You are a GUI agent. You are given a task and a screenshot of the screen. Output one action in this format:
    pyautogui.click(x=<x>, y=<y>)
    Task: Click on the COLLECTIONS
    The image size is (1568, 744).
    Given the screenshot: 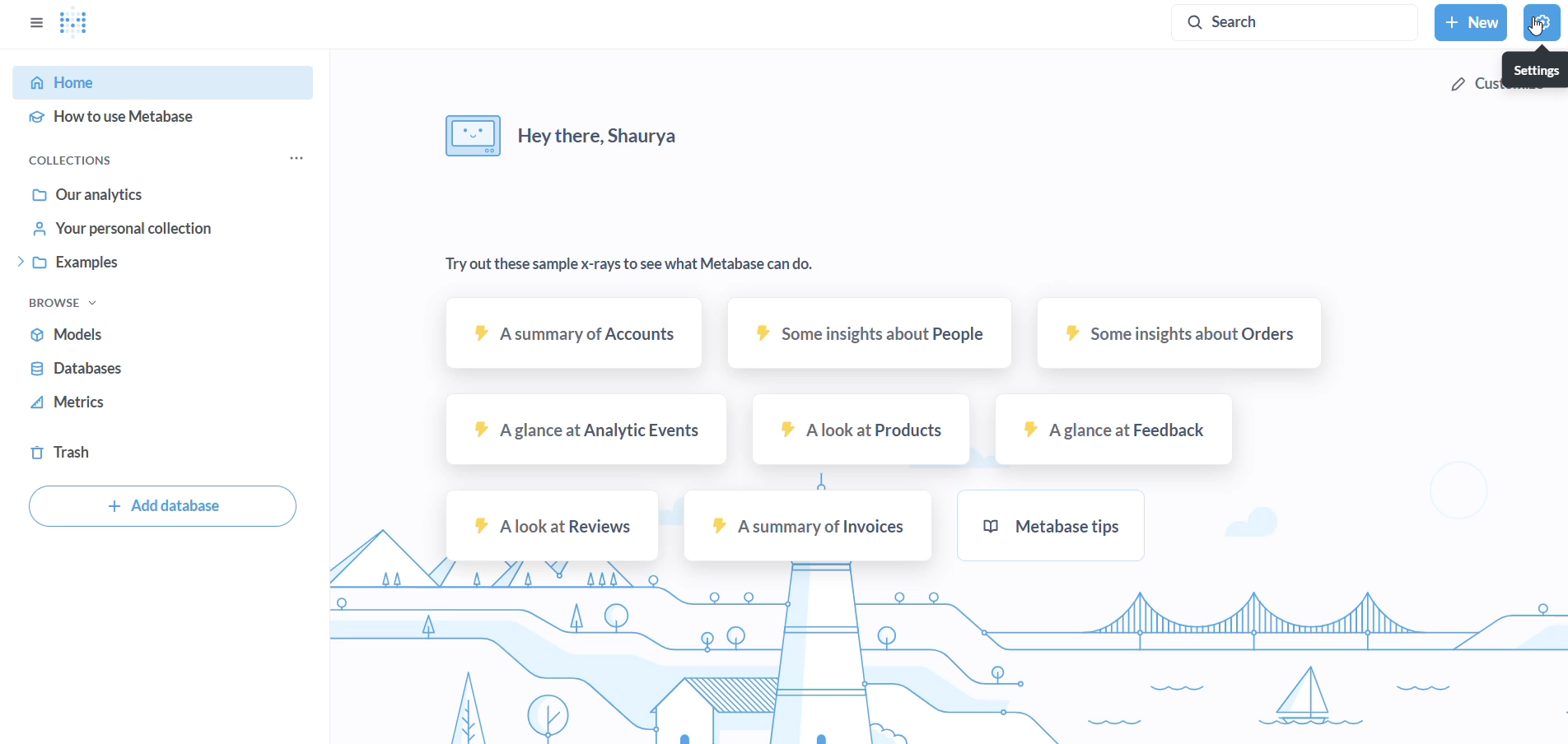 What is the action you would take?
    pyautogui.click(x=76, y=159)
    